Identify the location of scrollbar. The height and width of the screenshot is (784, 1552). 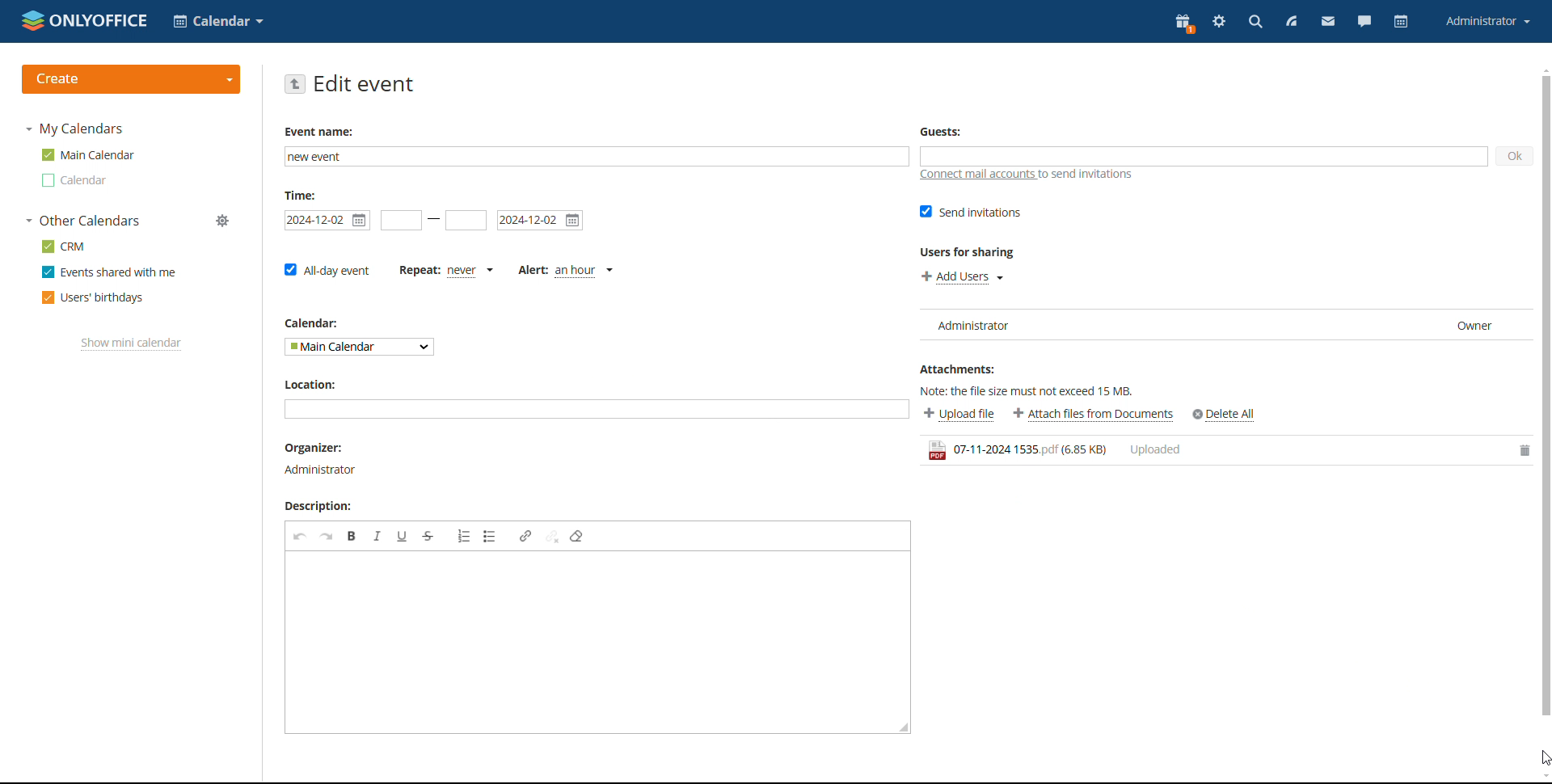
(1546, 397).